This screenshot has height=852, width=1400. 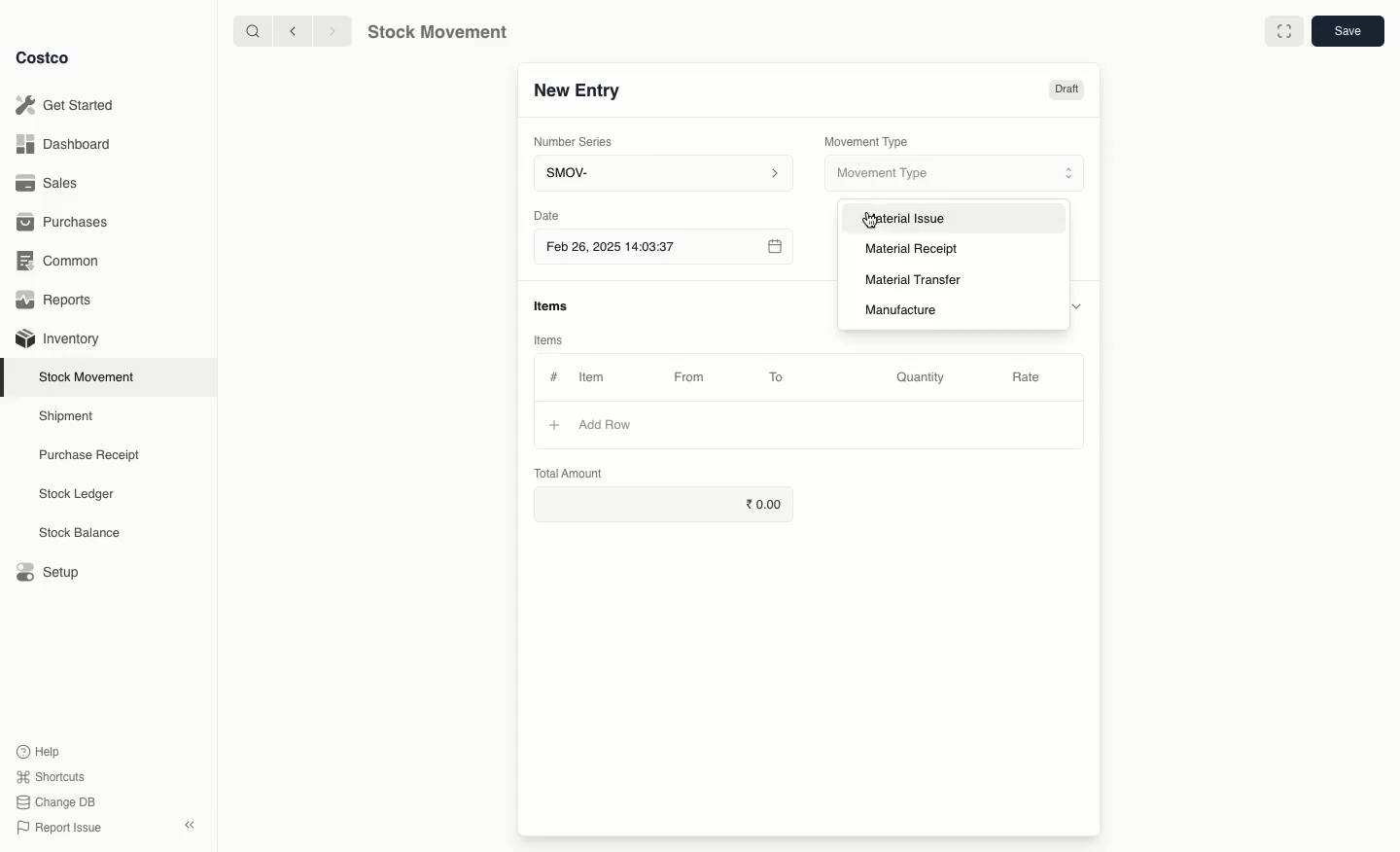 I want to click on 0.00, so click(x=664, y=500).